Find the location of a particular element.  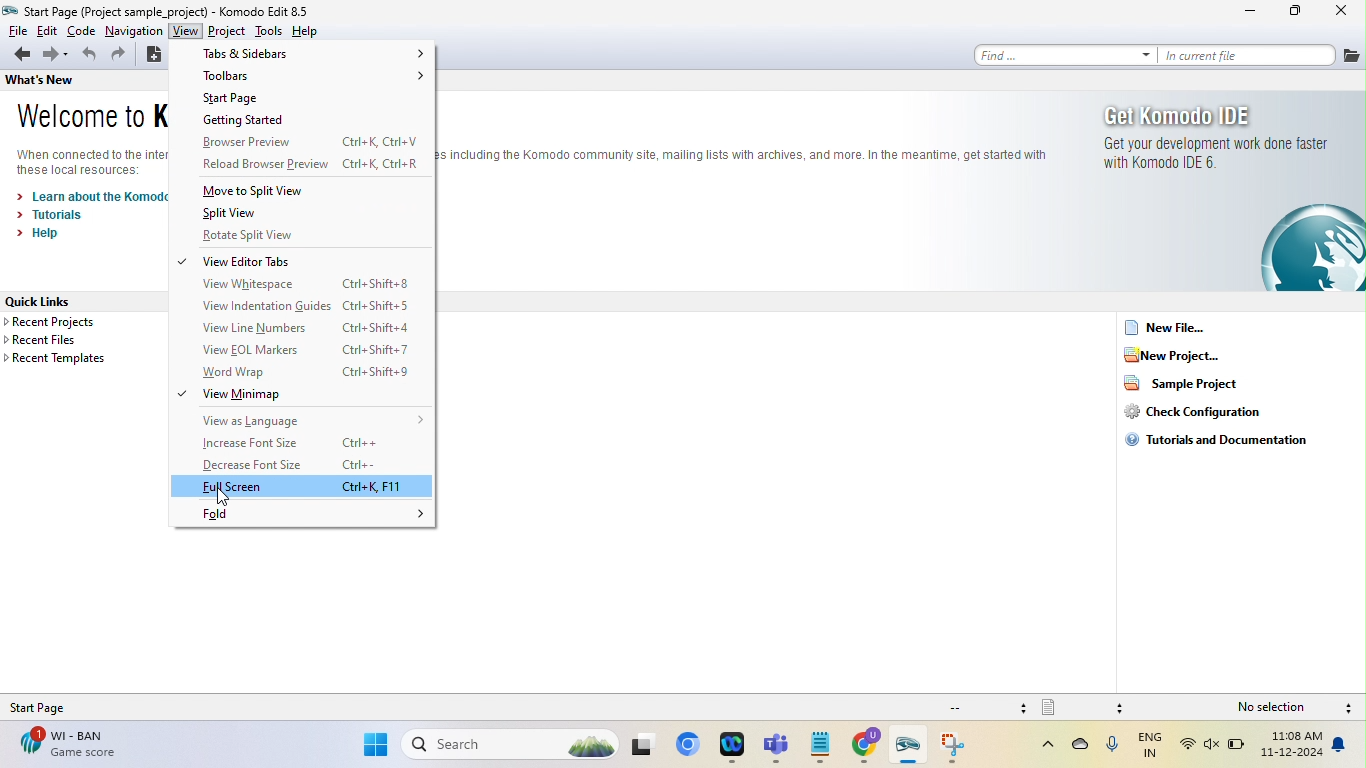

what's new is located at coordinates (41, 83).